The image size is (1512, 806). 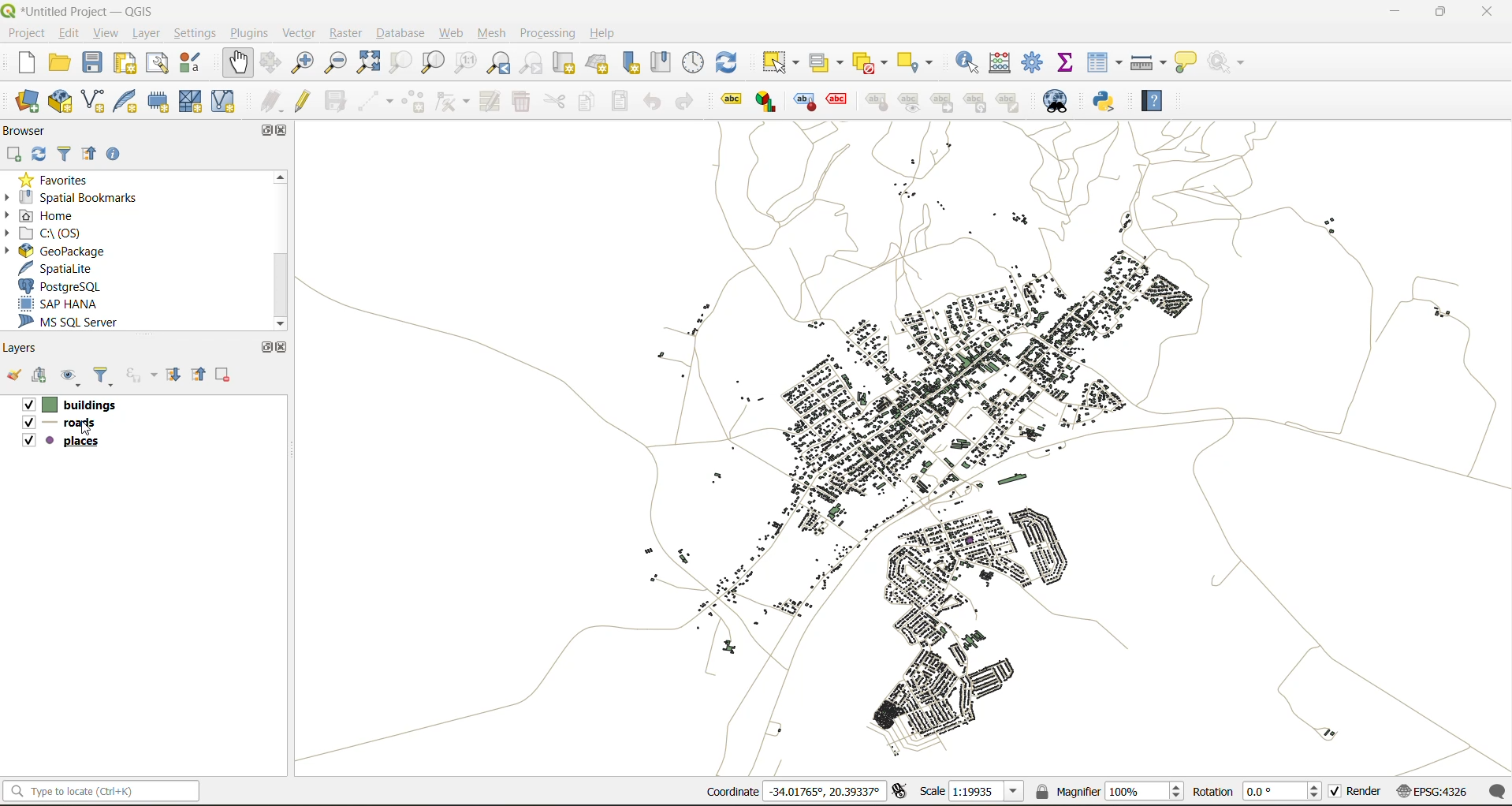 What do you see at coordinates (147, 34) in the screenshot?
I see `layer` at bounding box center [147, 34].